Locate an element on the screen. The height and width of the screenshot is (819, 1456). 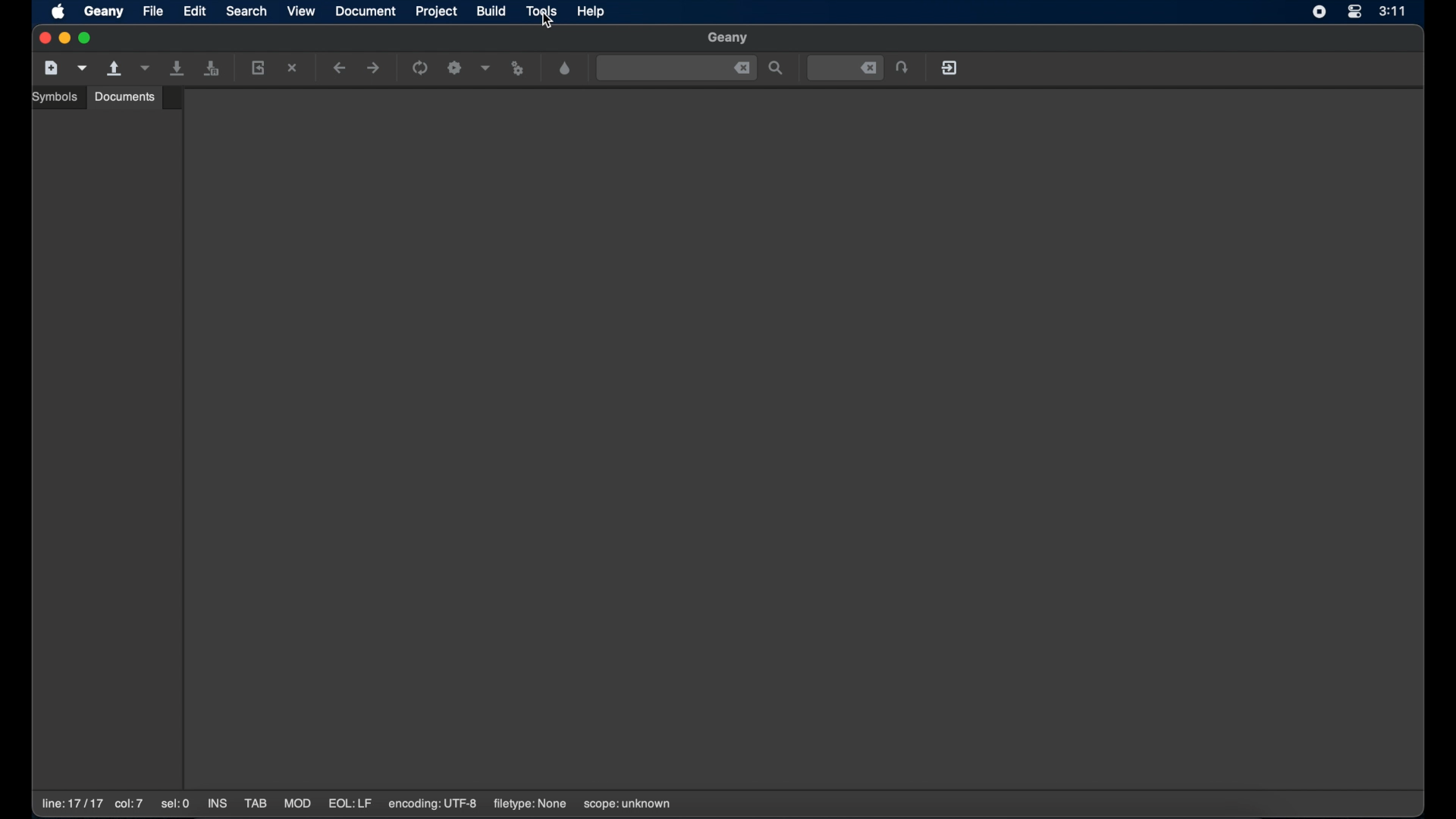
minimize is located at coordinates (65, 39).